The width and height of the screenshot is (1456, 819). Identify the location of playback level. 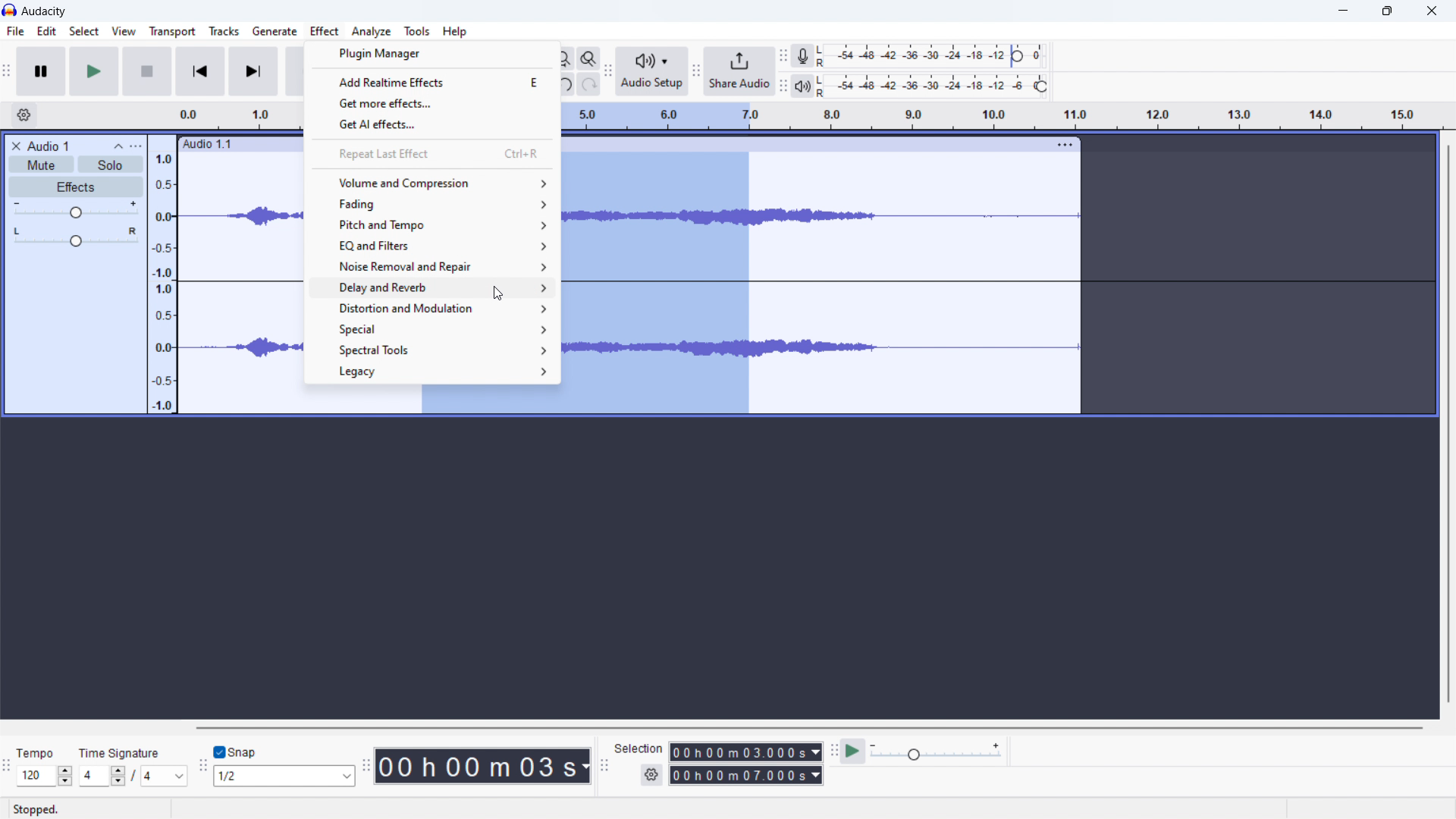
(935, 86).